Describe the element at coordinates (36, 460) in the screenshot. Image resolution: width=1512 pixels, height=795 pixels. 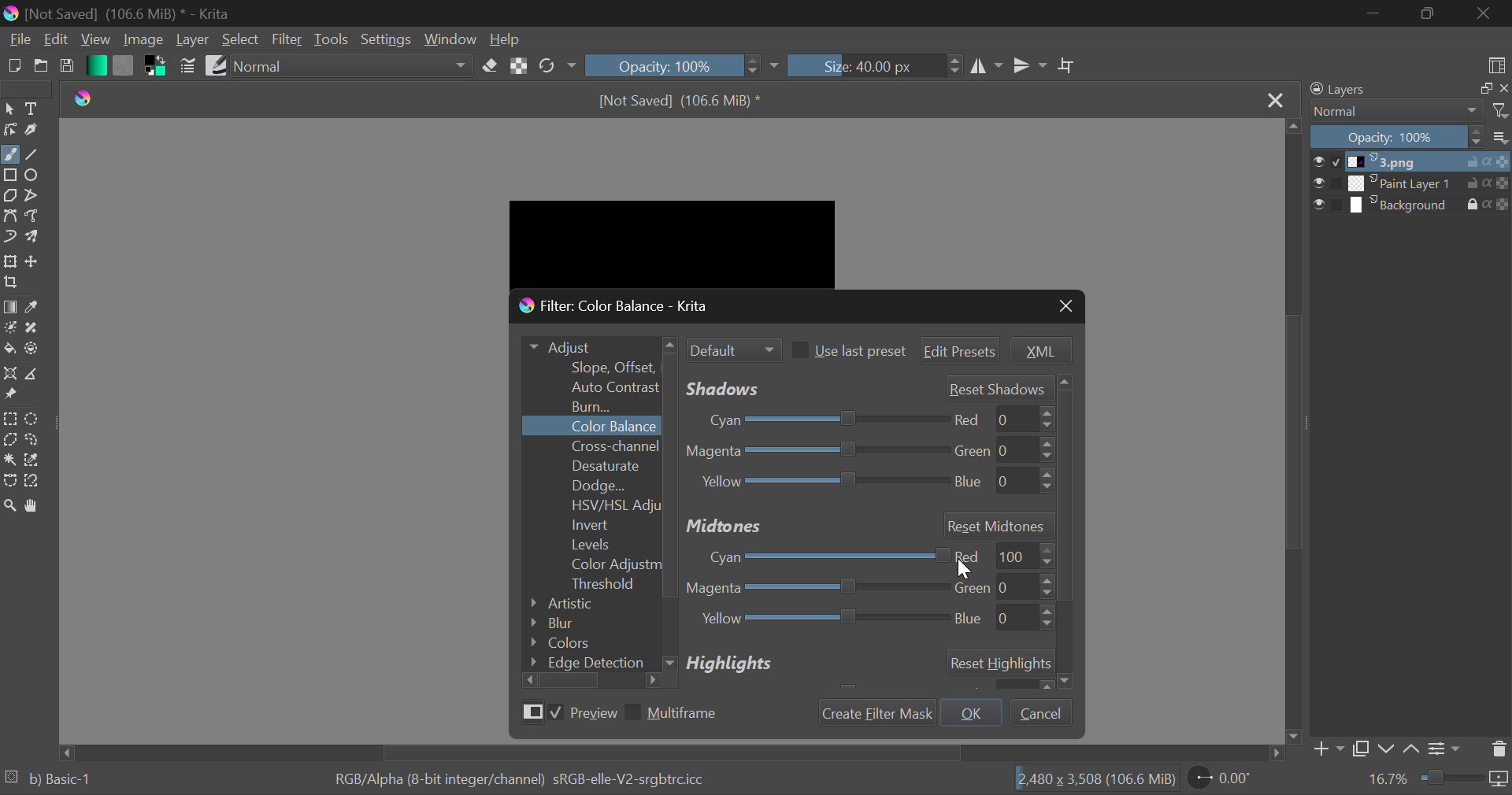
I see `Similar Color Selector` at that location.